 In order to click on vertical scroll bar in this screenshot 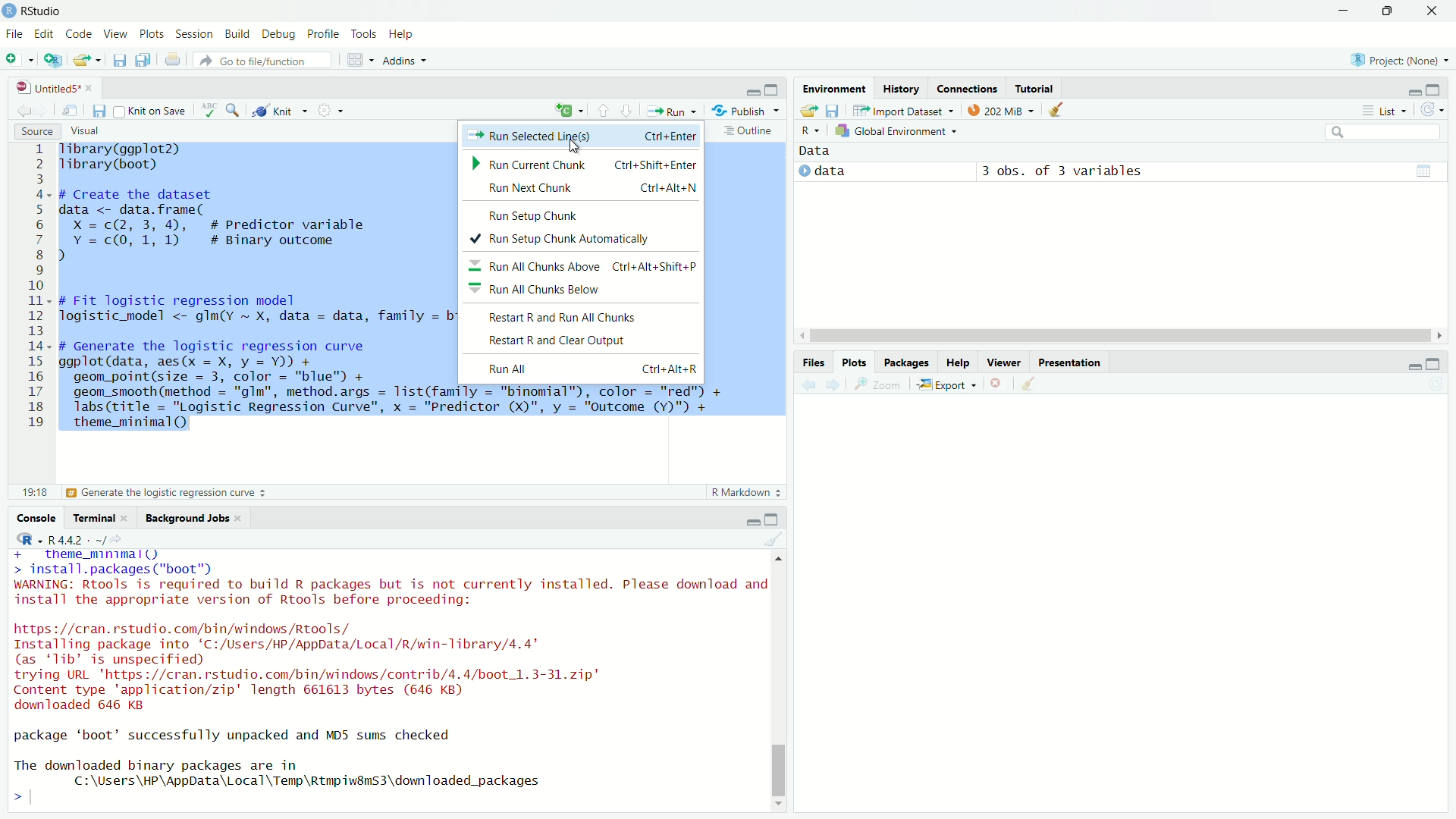, I will do `click(777, 681)`.